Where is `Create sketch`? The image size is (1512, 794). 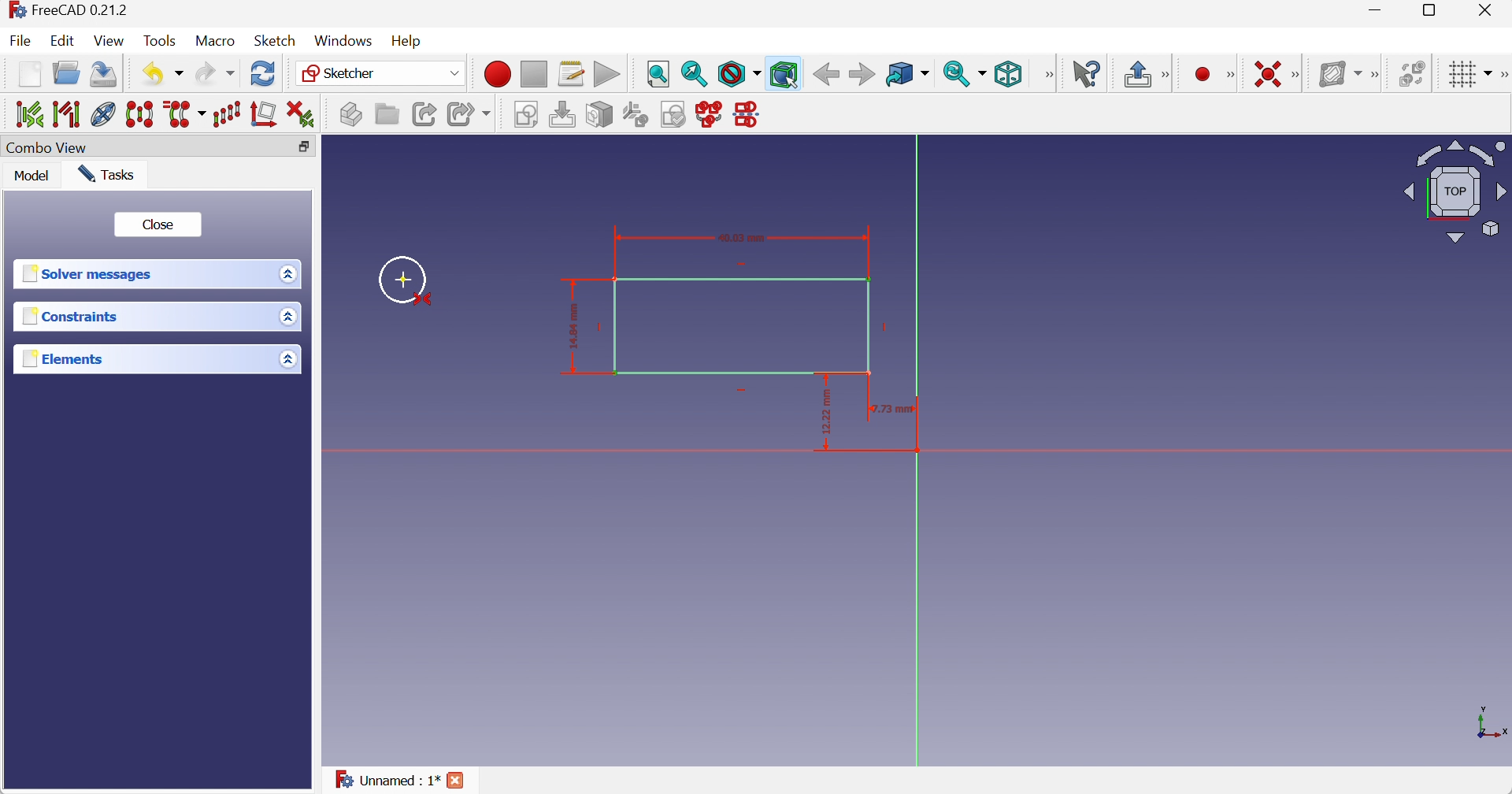 Create sketch is located at coordinates (528, 116).